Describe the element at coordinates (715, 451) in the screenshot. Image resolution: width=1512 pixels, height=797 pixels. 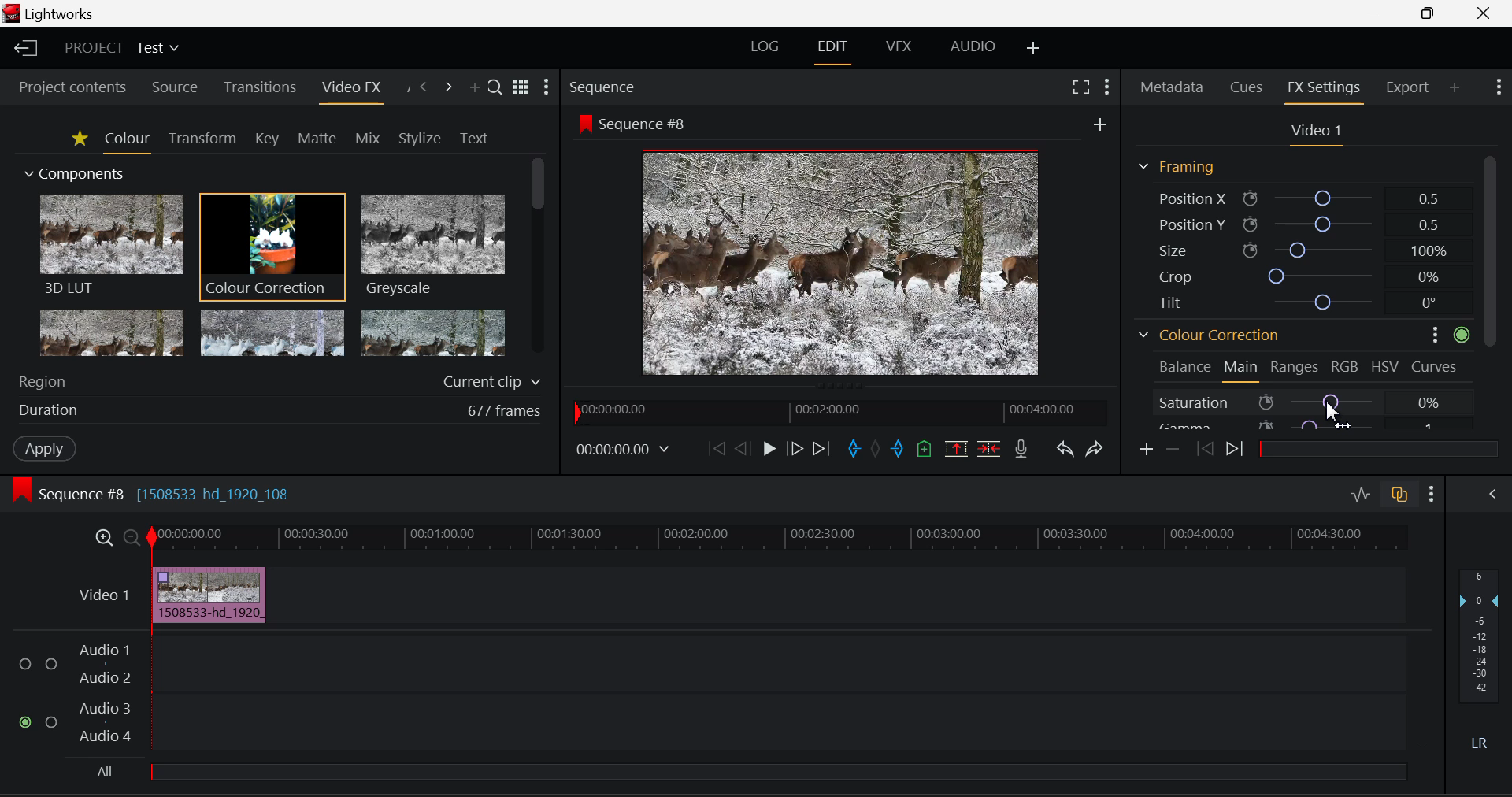
I see `To Start` at that location.